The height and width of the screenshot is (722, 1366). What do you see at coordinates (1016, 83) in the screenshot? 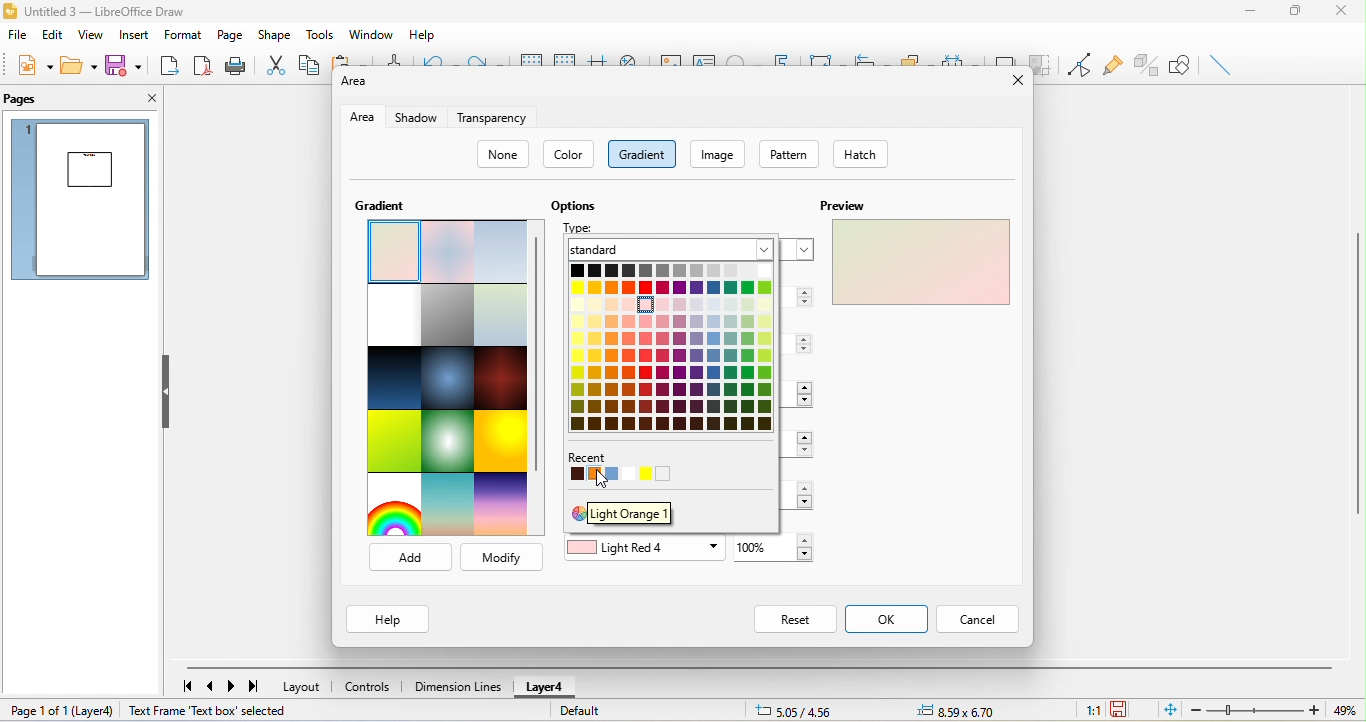
I see `close` at bounding box center [1016, 83].